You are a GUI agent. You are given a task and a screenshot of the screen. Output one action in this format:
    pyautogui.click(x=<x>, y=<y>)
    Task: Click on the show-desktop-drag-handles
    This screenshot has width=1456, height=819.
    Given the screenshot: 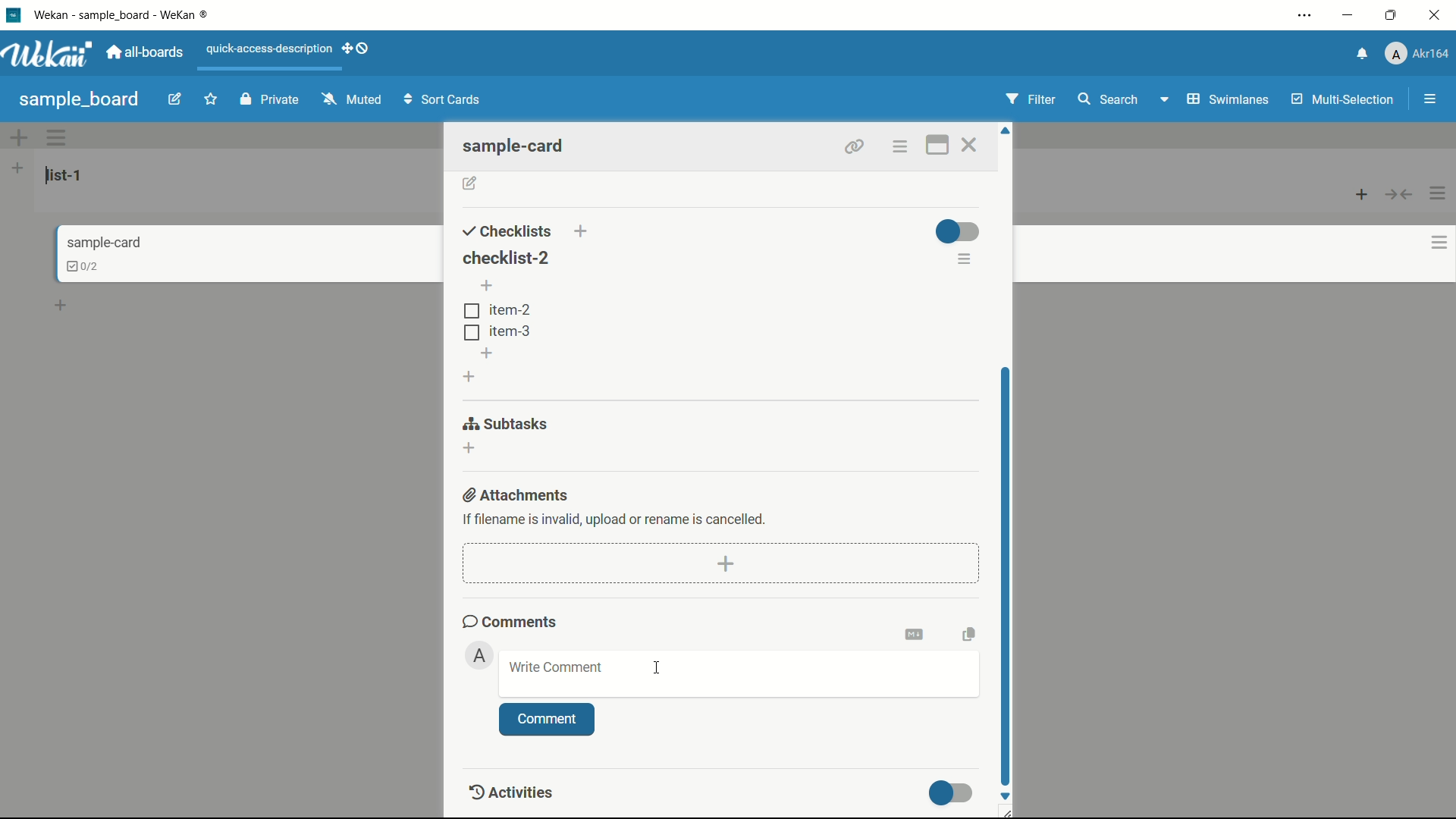 What is the action you would take?
    pyautogui.click(x=357, y=50)
    